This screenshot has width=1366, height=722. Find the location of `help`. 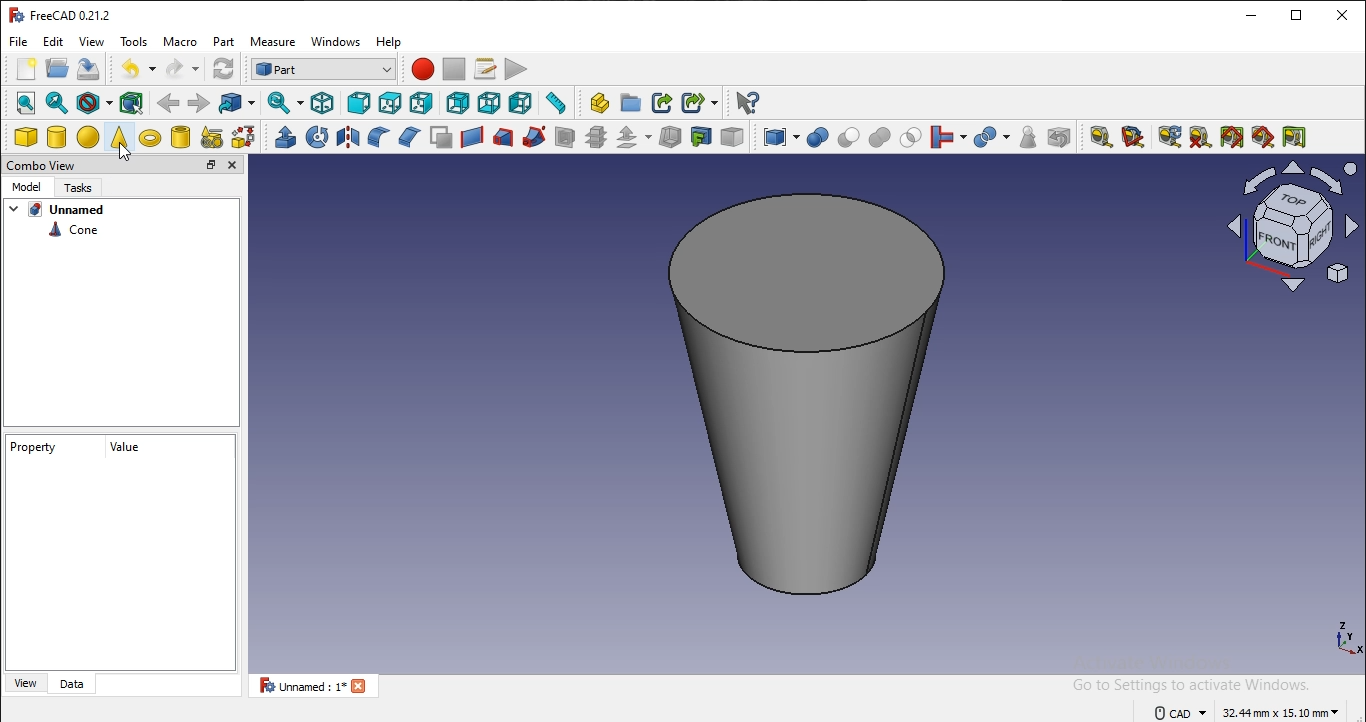

help is located at coordinates (389, 42).